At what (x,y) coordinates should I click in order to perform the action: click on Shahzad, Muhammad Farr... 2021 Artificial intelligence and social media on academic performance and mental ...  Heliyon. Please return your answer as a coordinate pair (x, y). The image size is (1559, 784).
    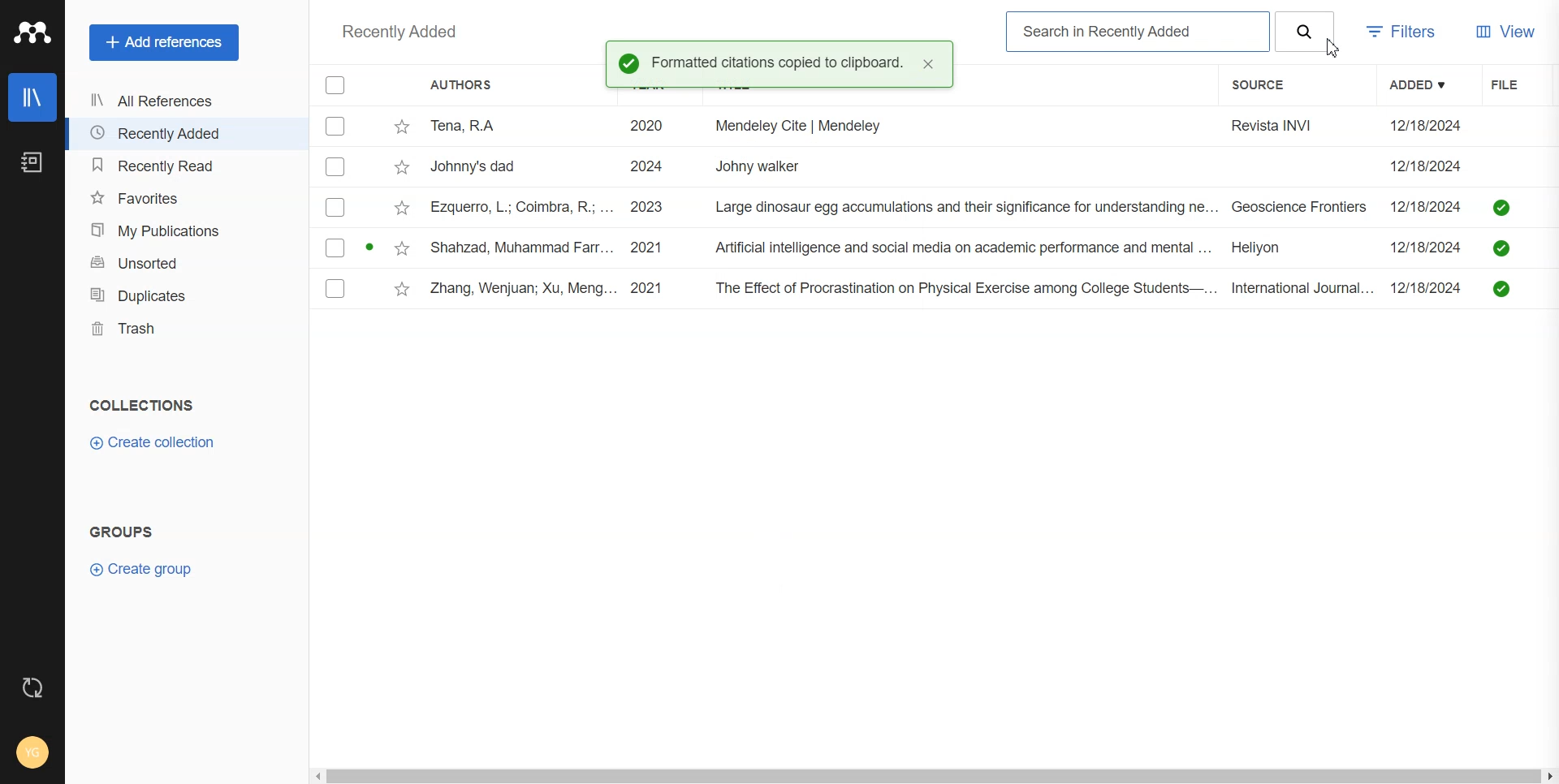
    Looking at the image, I should click on (900, 247).